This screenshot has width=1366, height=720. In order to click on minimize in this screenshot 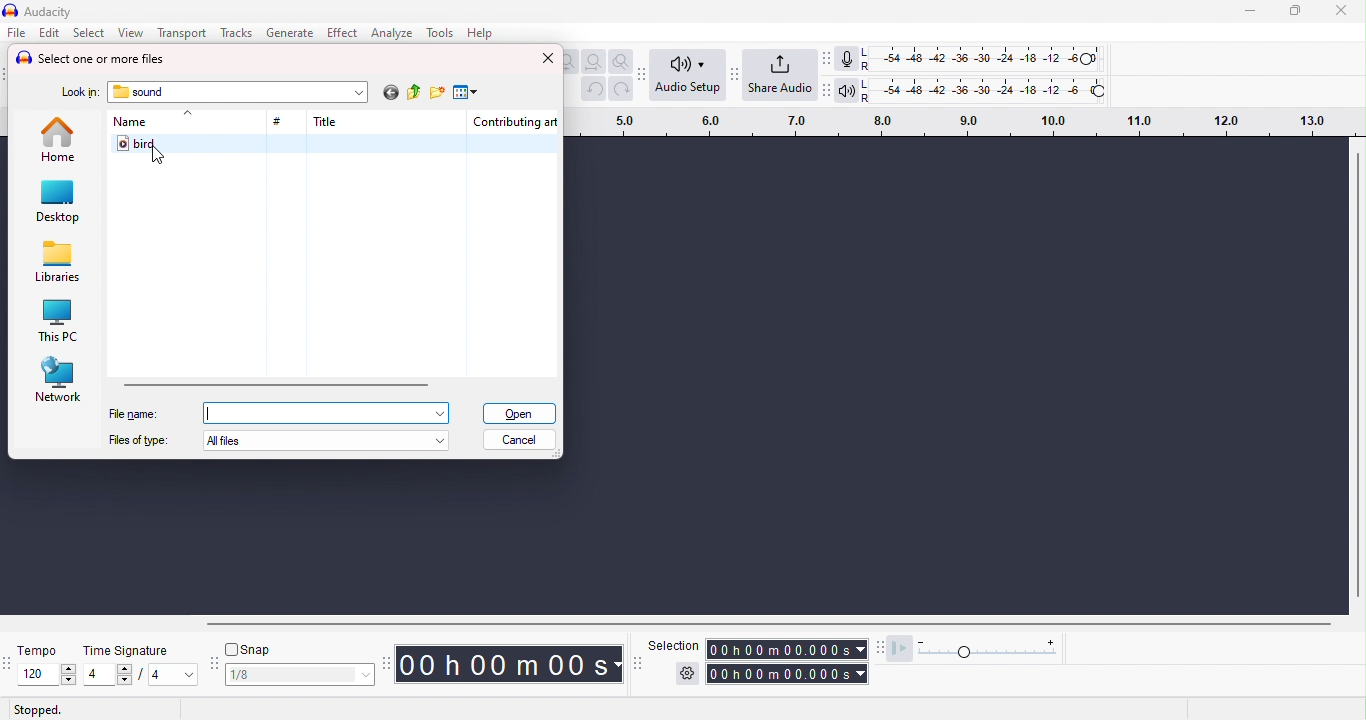, I will do `click(1250, 13)`.